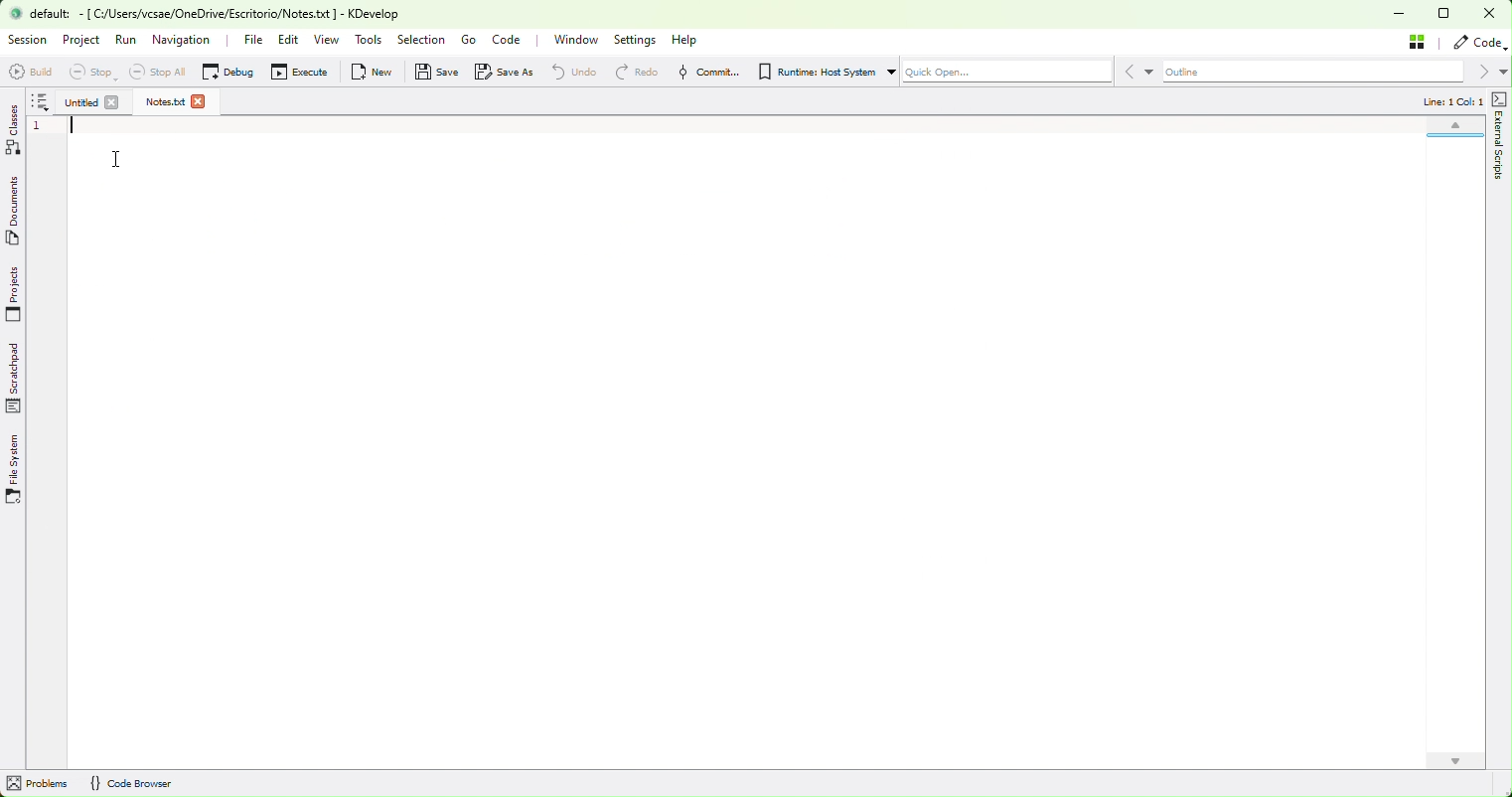 Image resolution: width=1512 pixels, height=797 pixels. I want to click on Code, so click(513, 42).